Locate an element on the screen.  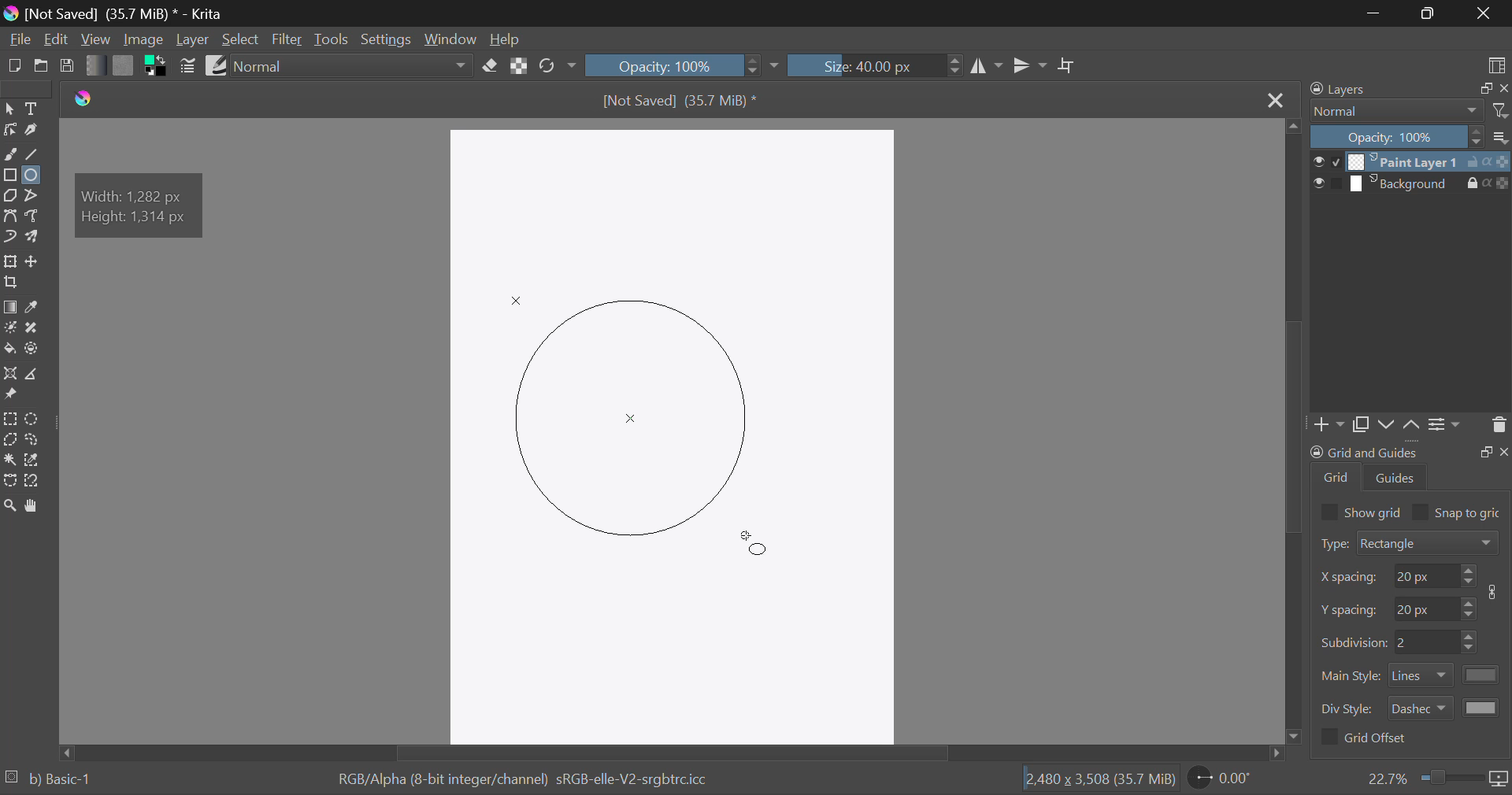
Save is located at coordinates (68, 68).